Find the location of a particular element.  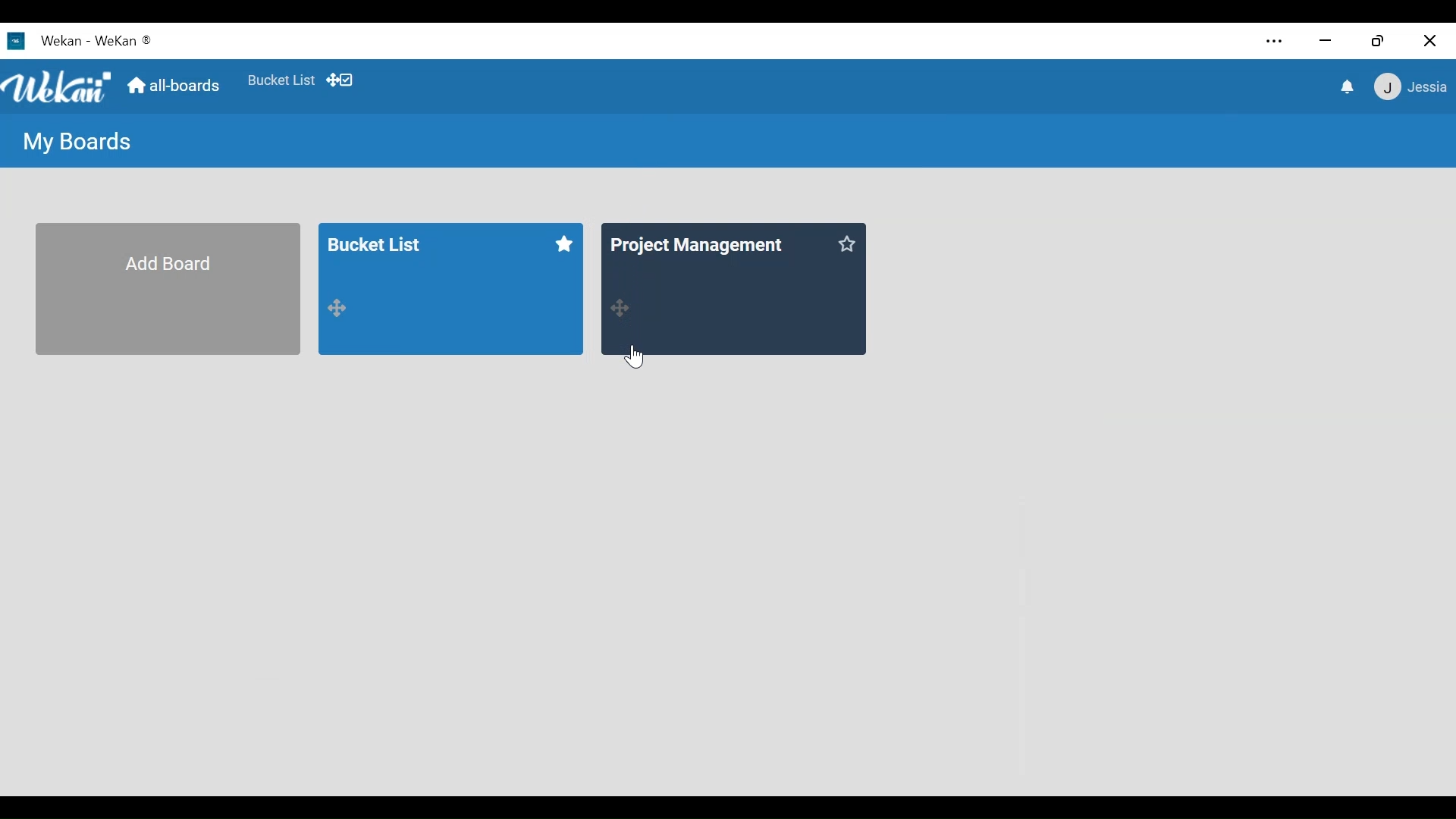

notification is located at coordinates (1348, 88).